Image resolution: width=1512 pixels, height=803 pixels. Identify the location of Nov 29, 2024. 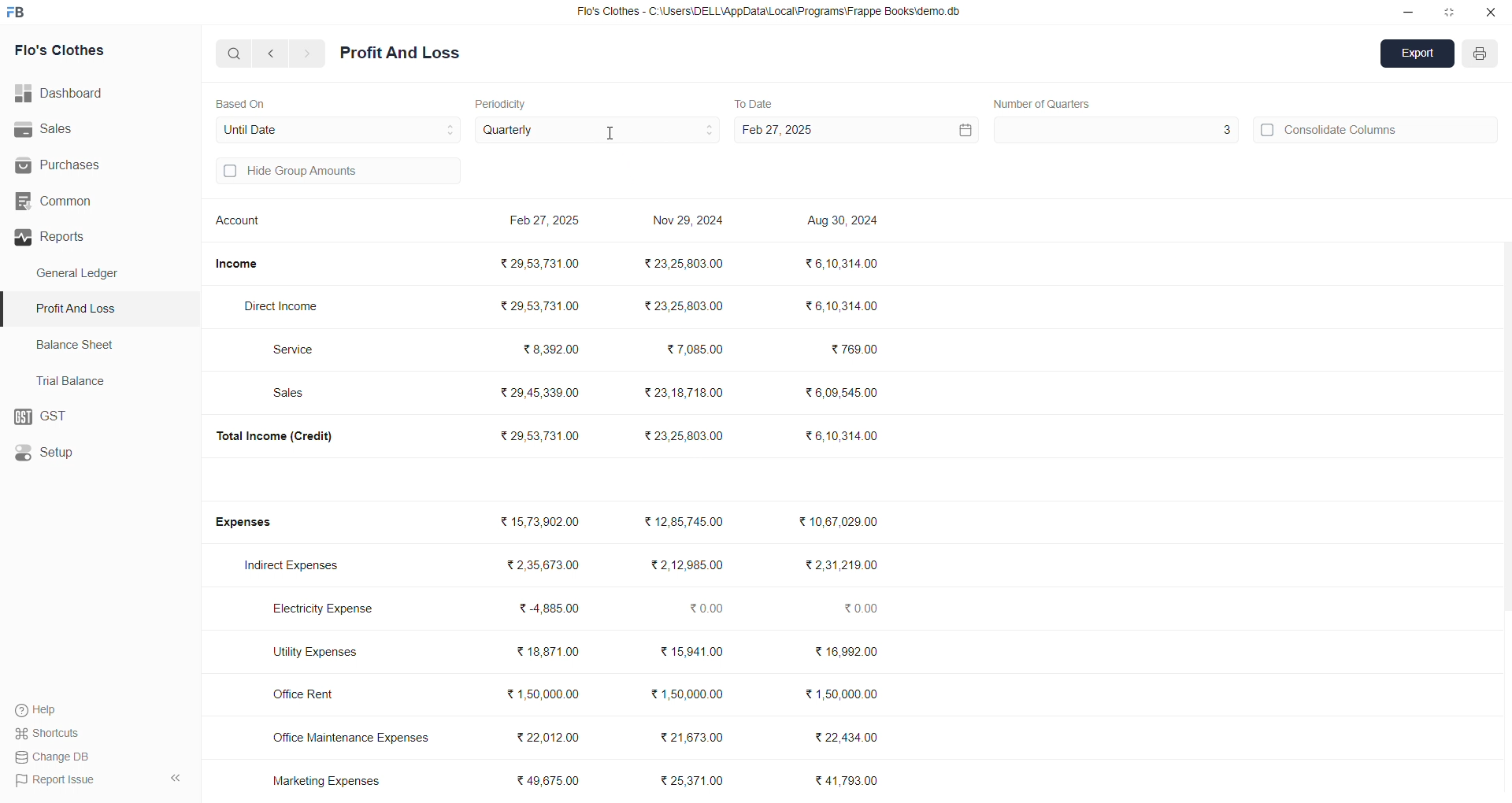
(691, 223).